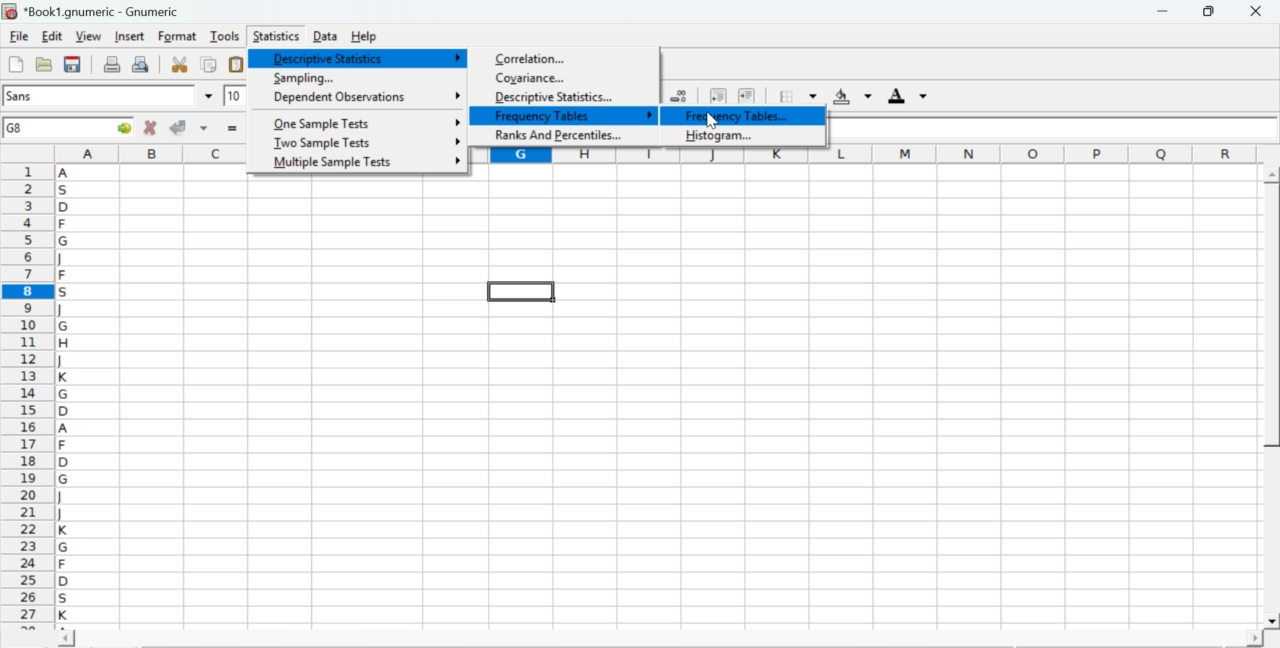  Describe the element at coordinates (458, 93) in the screenshot. I see `more` at that location.